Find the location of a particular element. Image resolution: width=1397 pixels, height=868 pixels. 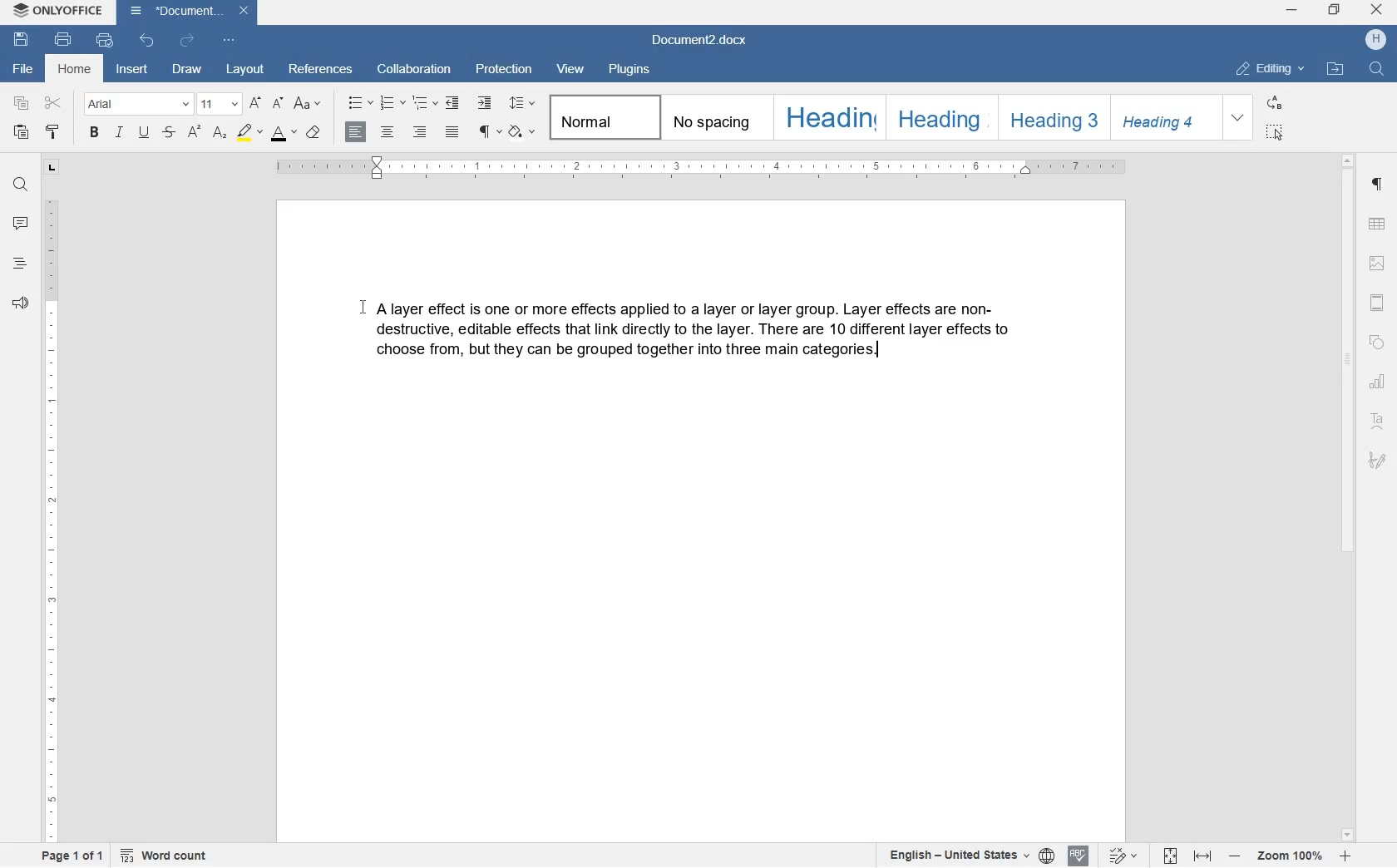

track changes is located at coordinates (1124, 856).